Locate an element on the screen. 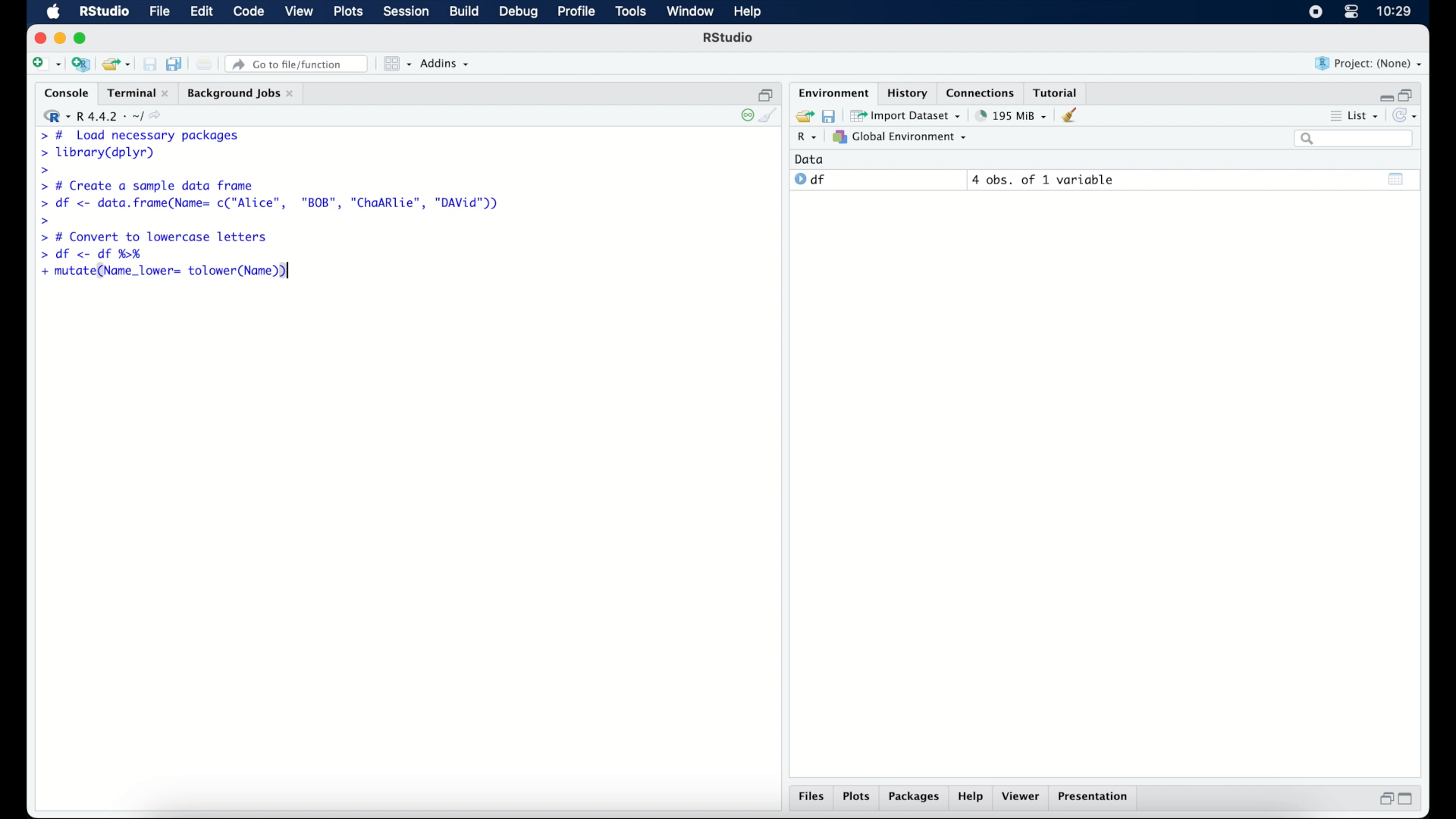 This screenshot has height=819, width=1456. > df <- data.frame(Name= c("Alice", "BOB", "ChaARlie", "DAVid"))| is located at coordinates (274, 204).